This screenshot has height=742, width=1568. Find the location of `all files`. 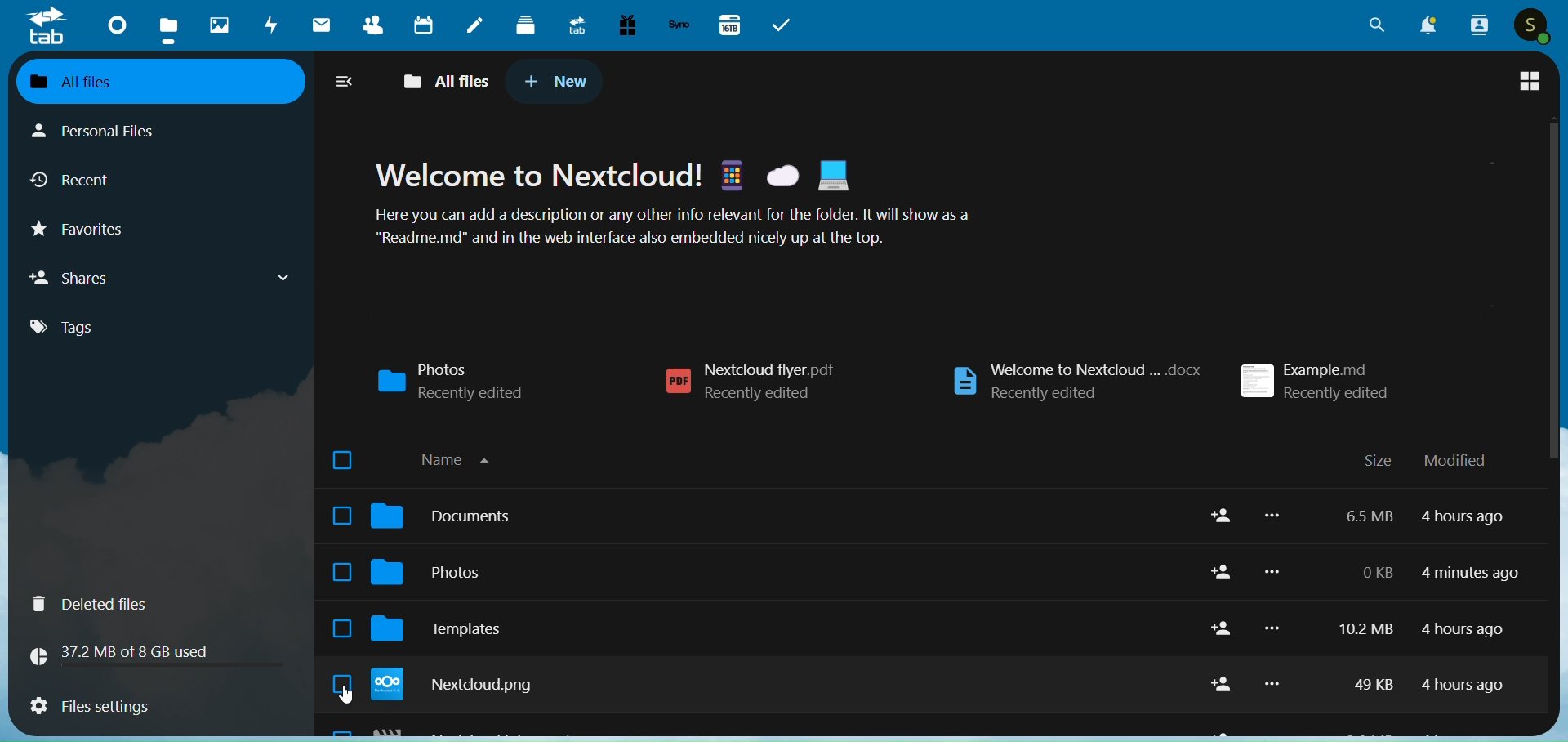

all files is located at coordinates (443, 81).